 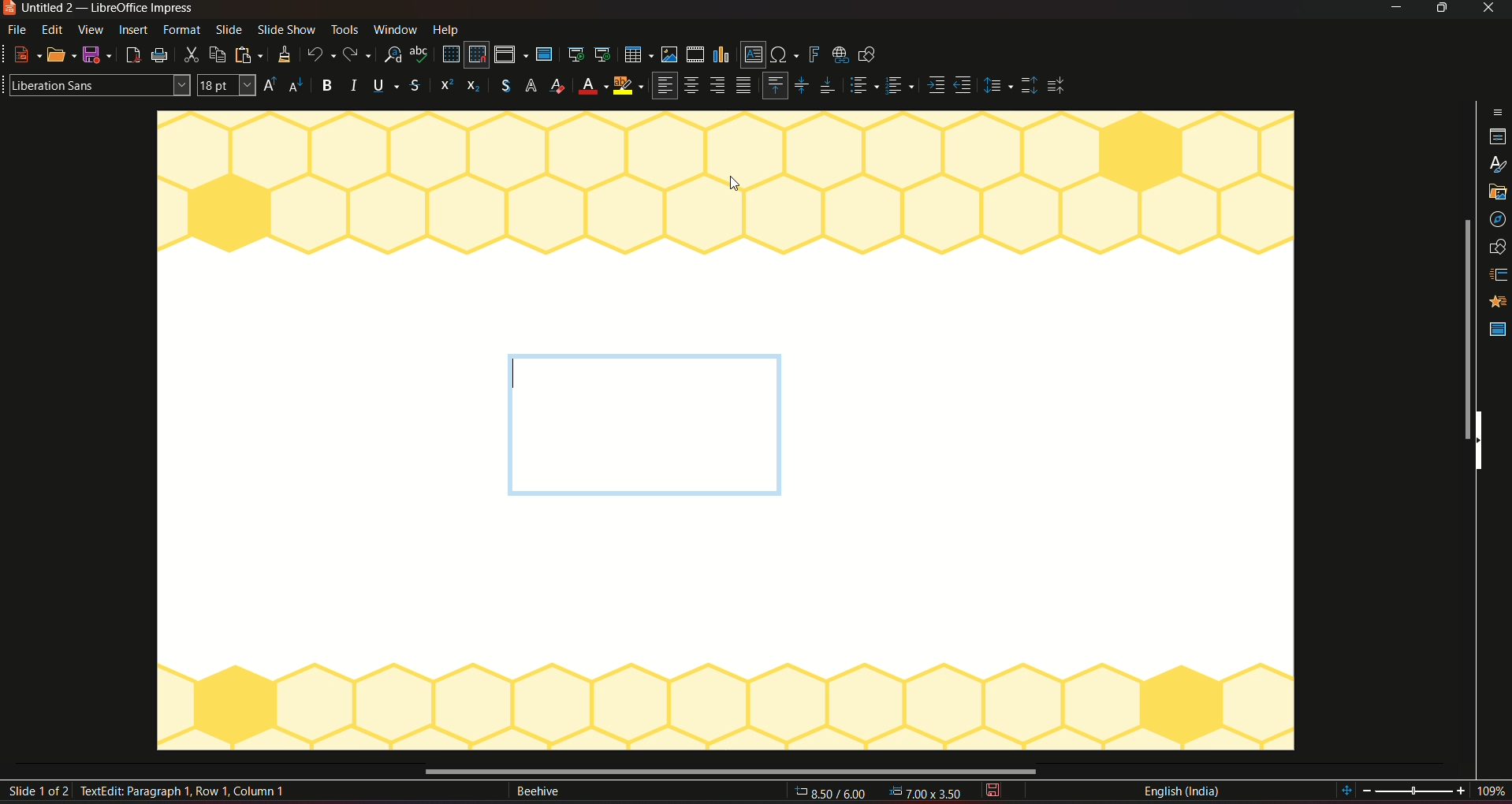 I want to click on minimize, so click(x=1394, y=9).